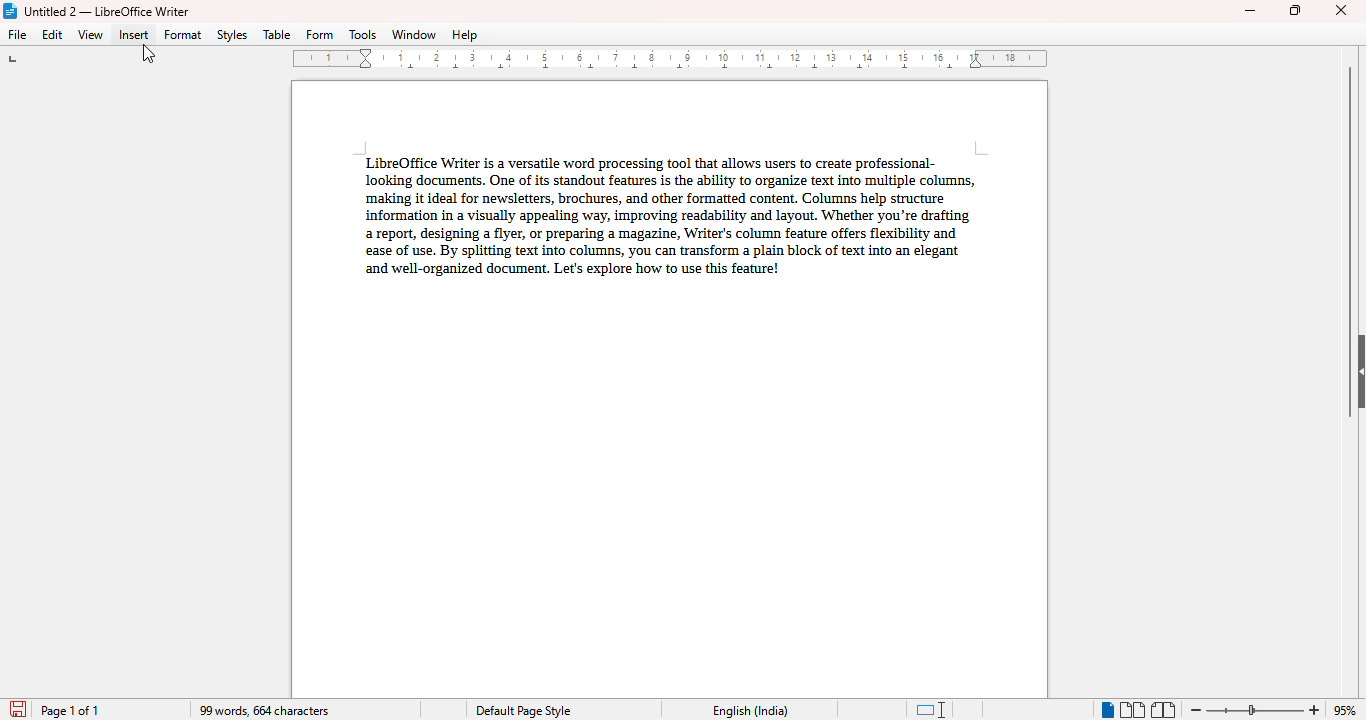 The height and width of the screenshot is (720, 1366). I want to click on multi-page view, so click(1133, 710).